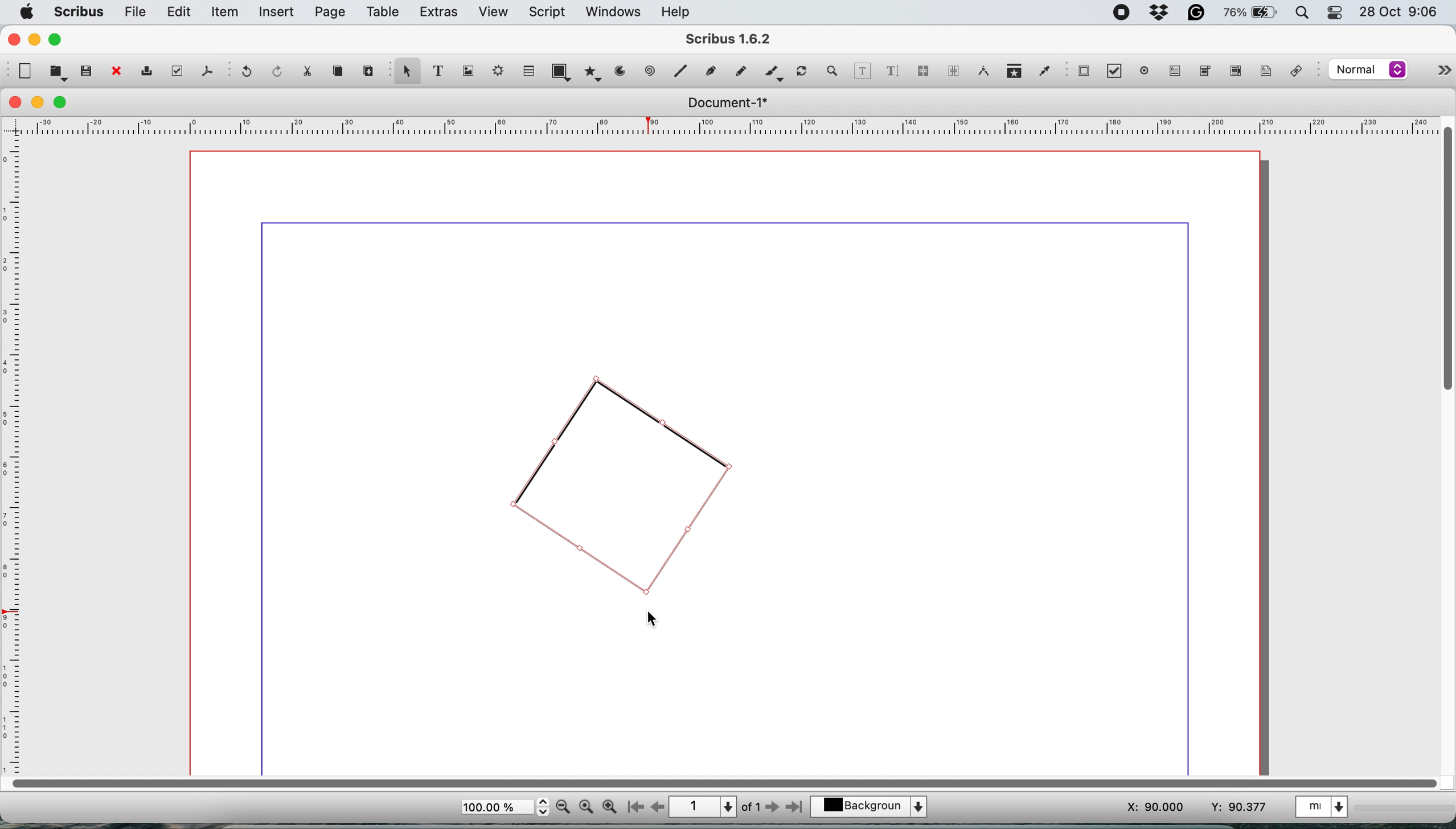 This screenshot has width=1456, height=829. I want to click on grammarly, so click(1197, 13).